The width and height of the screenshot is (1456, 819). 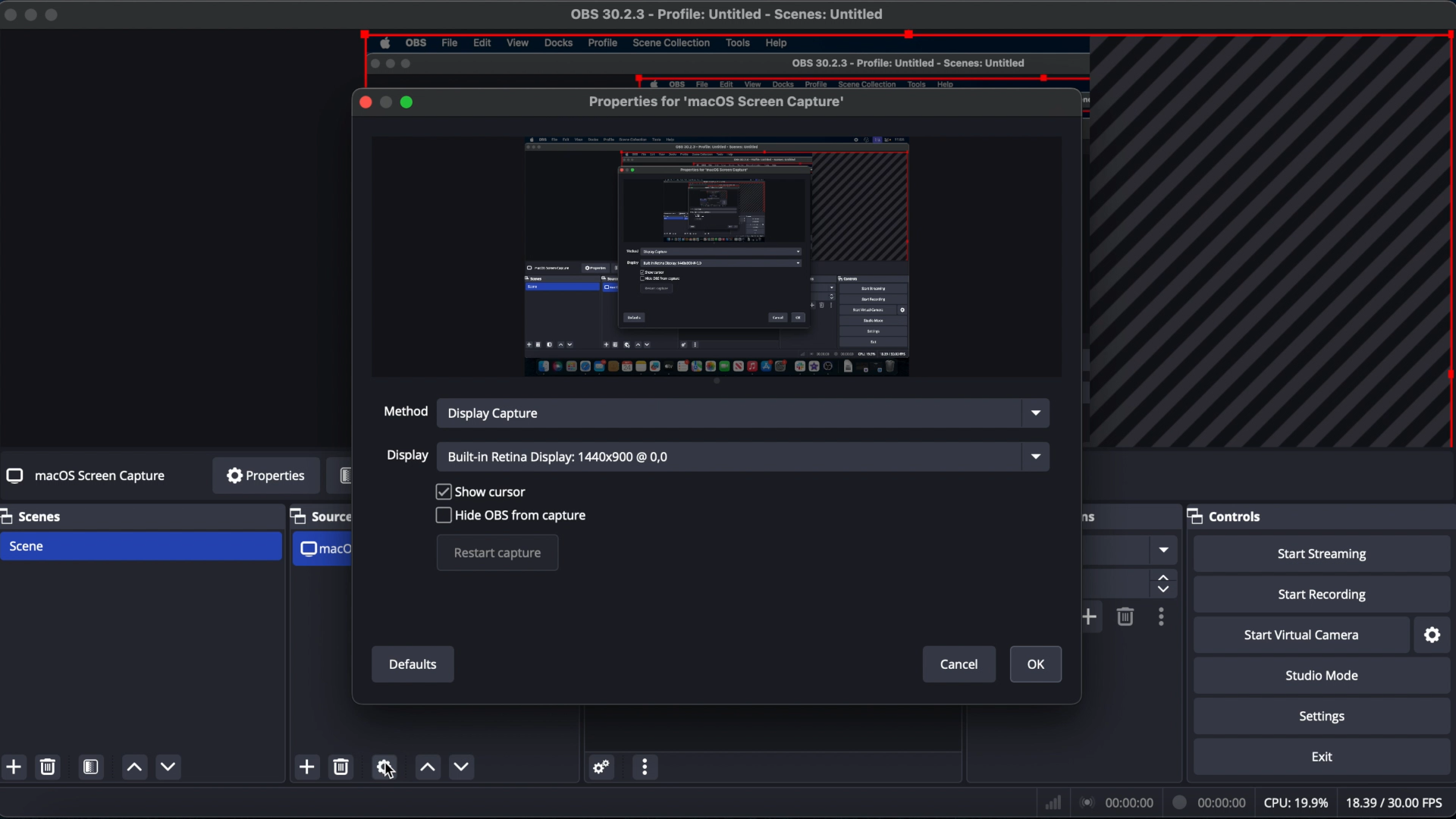 I want to click on exit, so click(x=1323, y=758).